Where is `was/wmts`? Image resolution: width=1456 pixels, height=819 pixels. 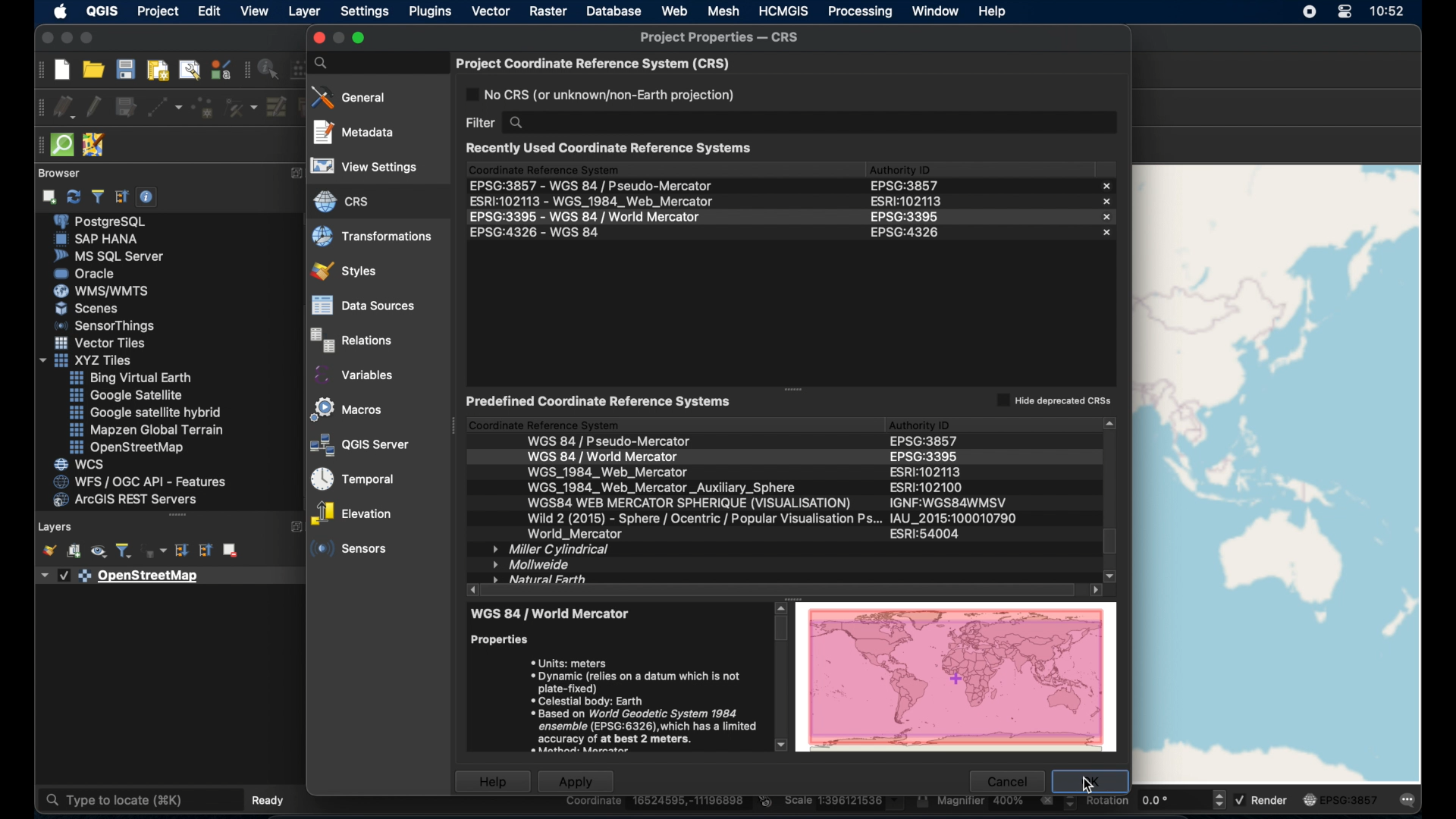 was/wmts is located at coordinates (103, 292).